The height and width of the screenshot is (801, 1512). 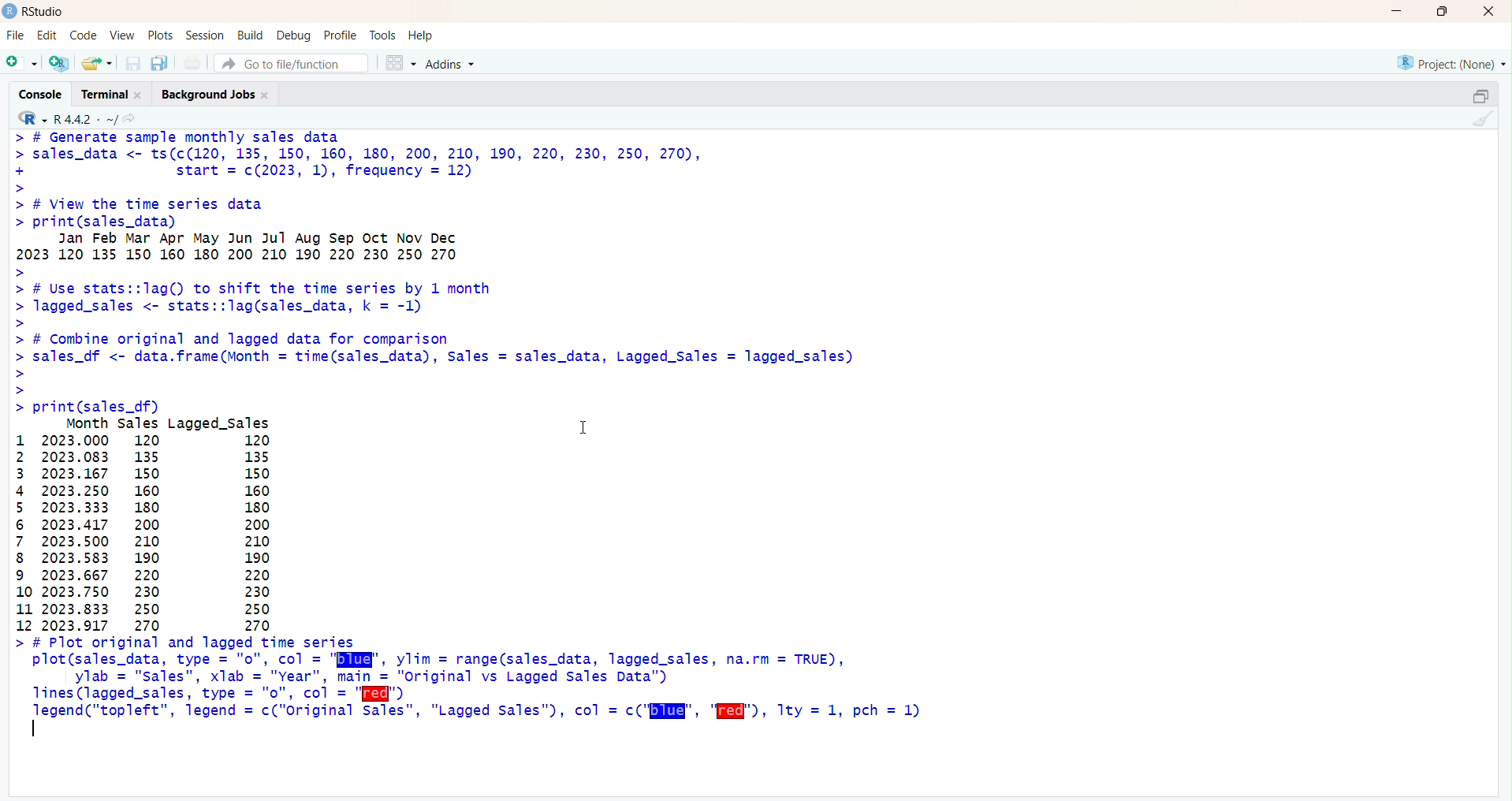 What do you see at coordinates (294, 35) in the screenshot?
I see `debug` at bounding box center [294, 35].